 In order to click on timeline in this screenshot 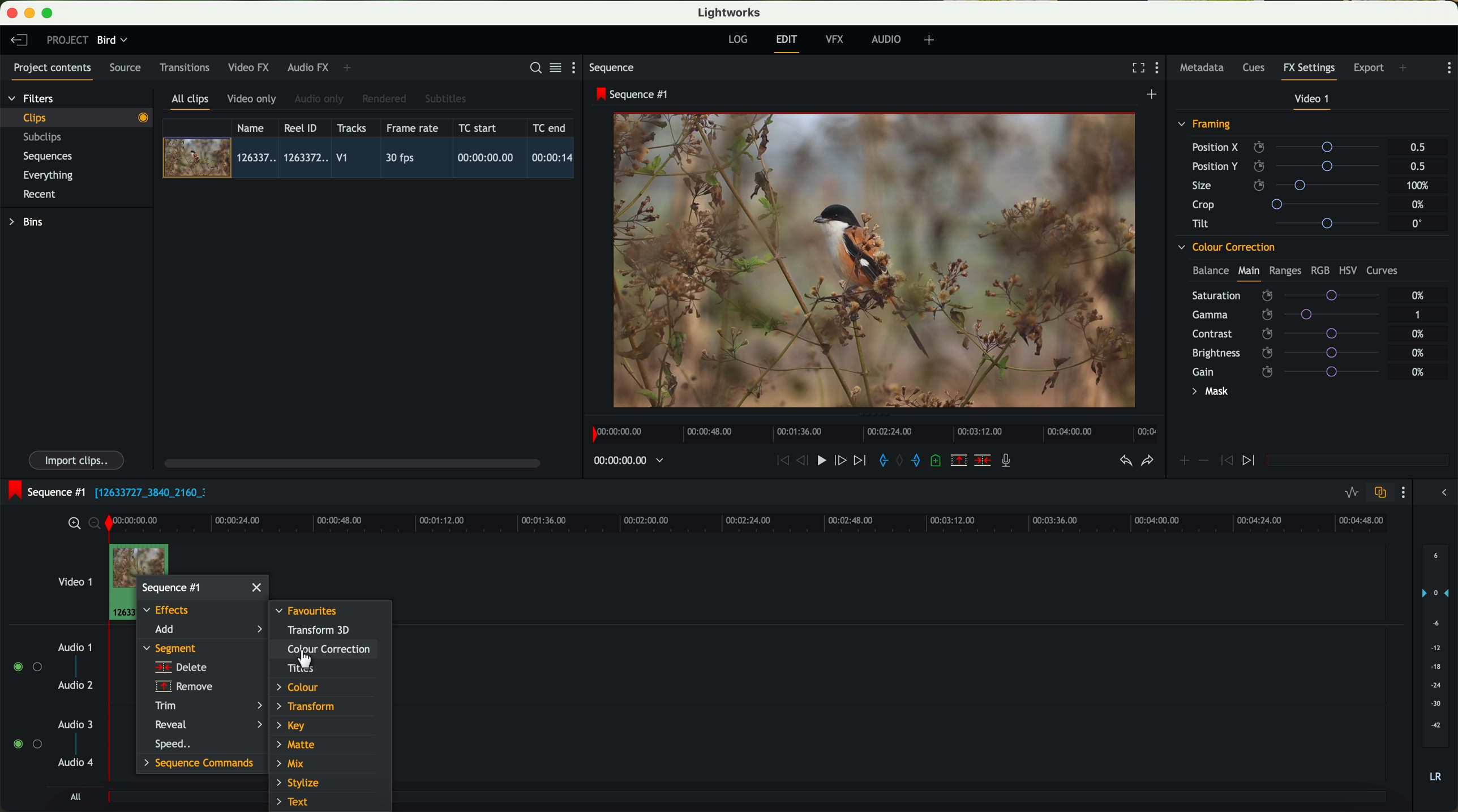, I will do `click(778, 522)`.